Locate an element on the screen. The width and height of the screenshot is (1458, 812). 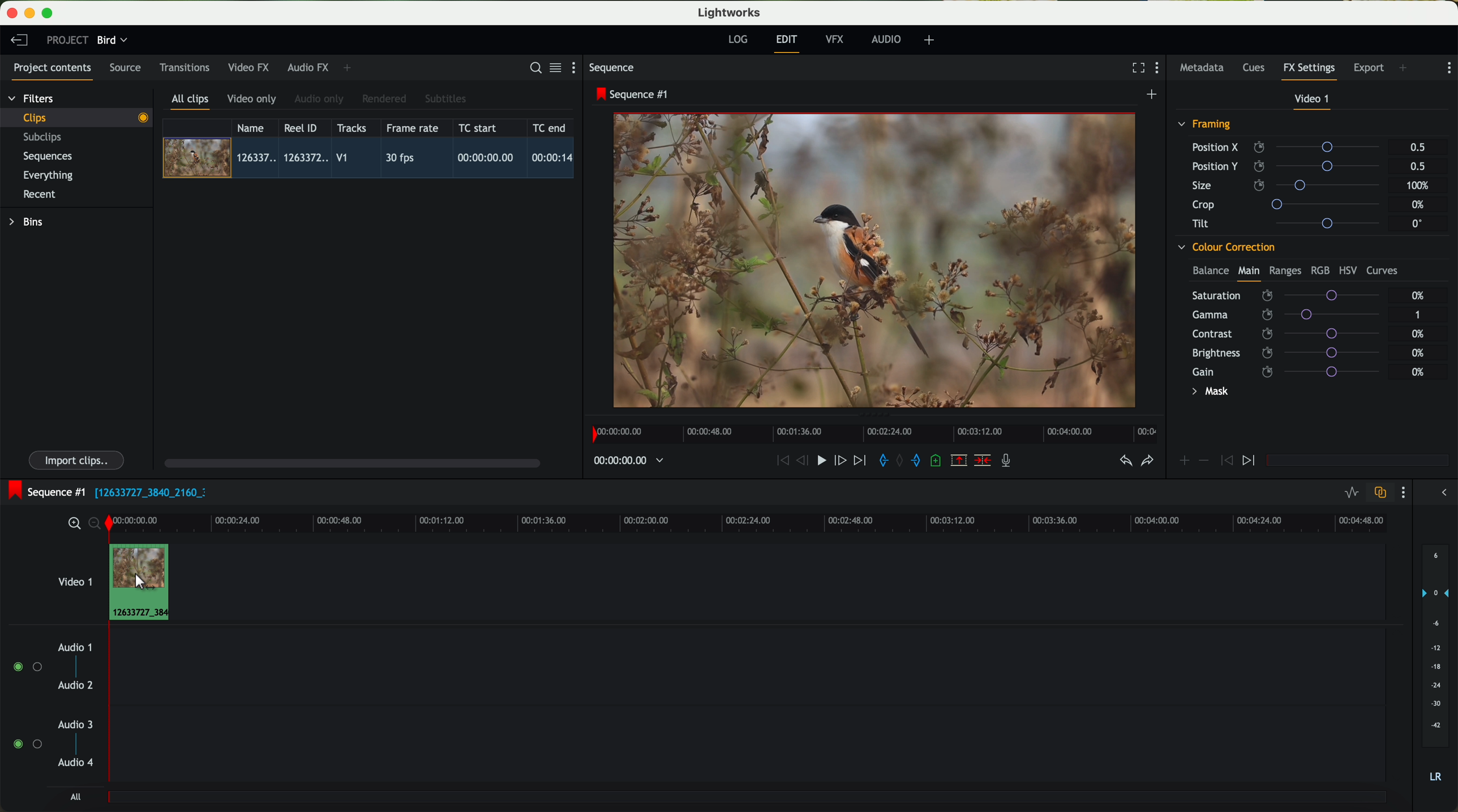
add panel is located at coordinates (1406, 69).